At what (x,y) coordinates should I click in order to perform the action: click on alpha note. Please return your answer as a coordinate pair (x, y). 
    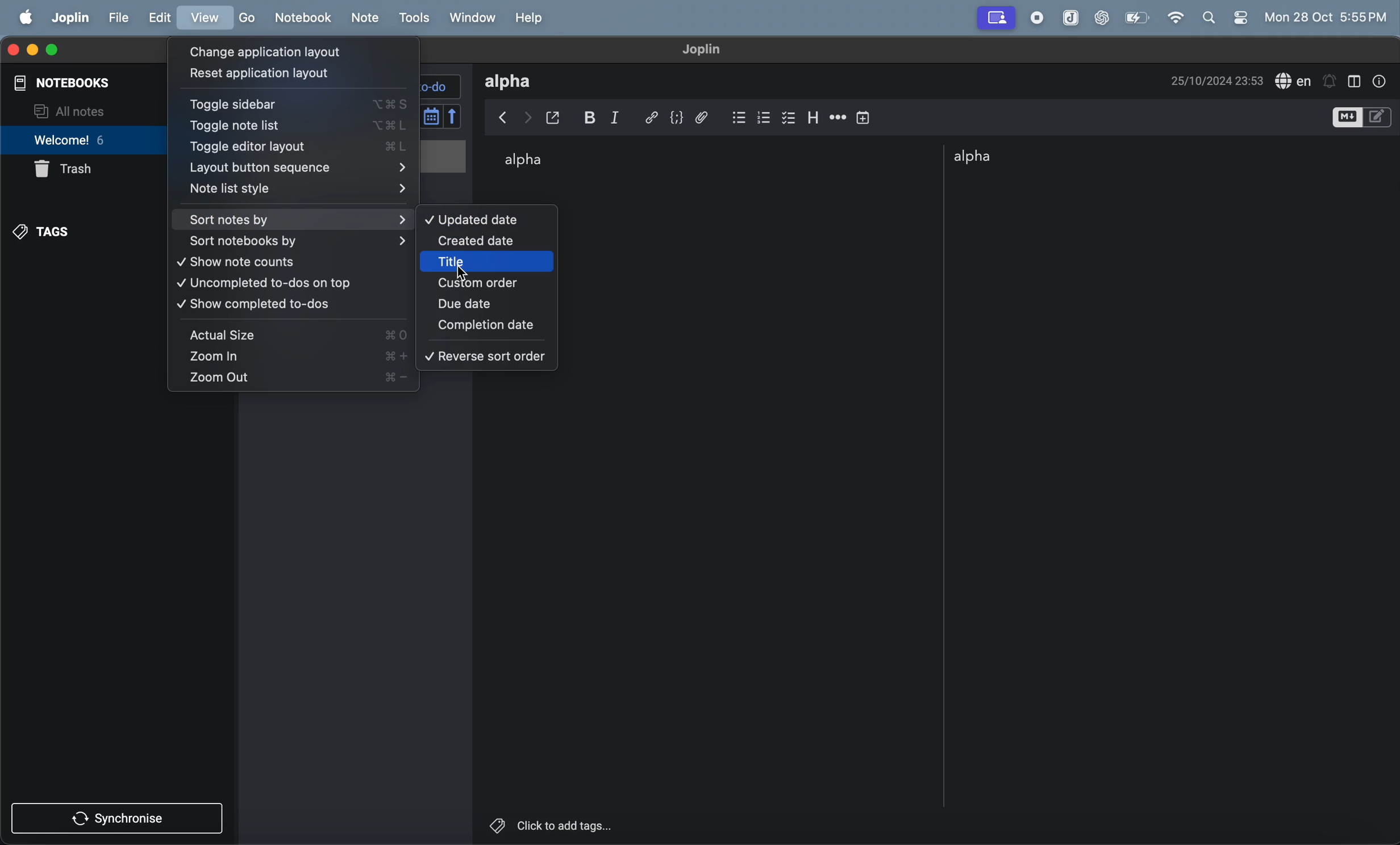
    Looking at the image, I should click on (1002, 157).